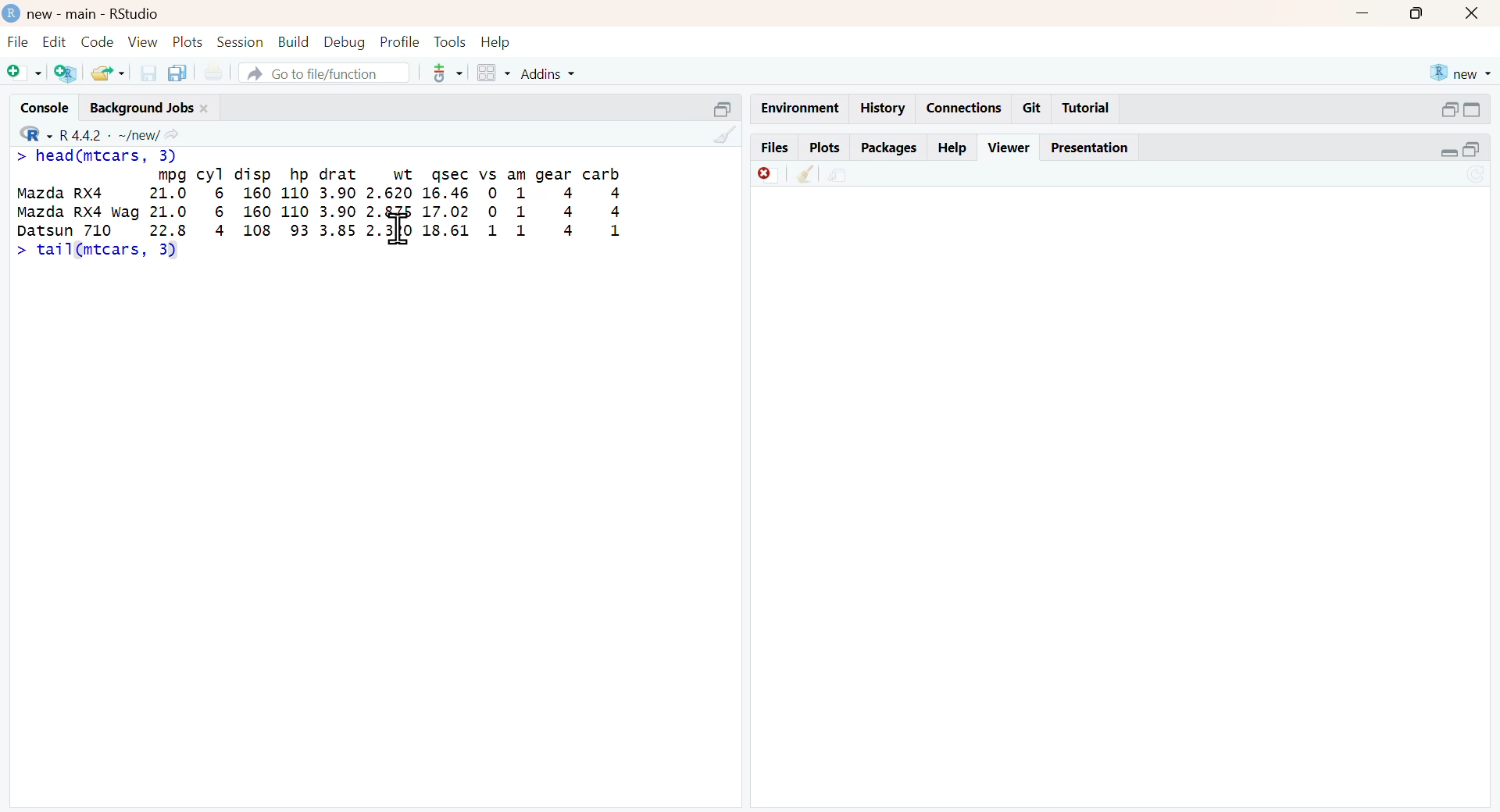 Image resolution: width=1500 pixels, height=812 pixels. I want to click on New file, so click(20, 69).